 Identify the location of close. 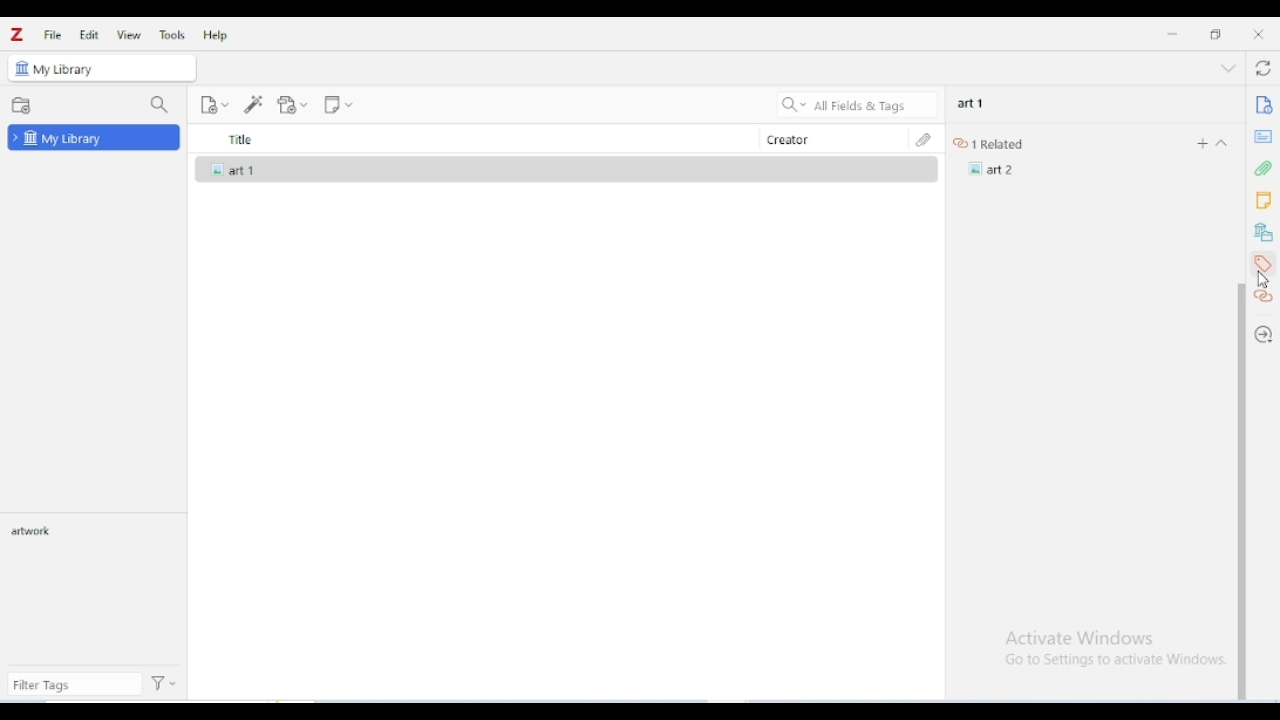
(1258, 35).